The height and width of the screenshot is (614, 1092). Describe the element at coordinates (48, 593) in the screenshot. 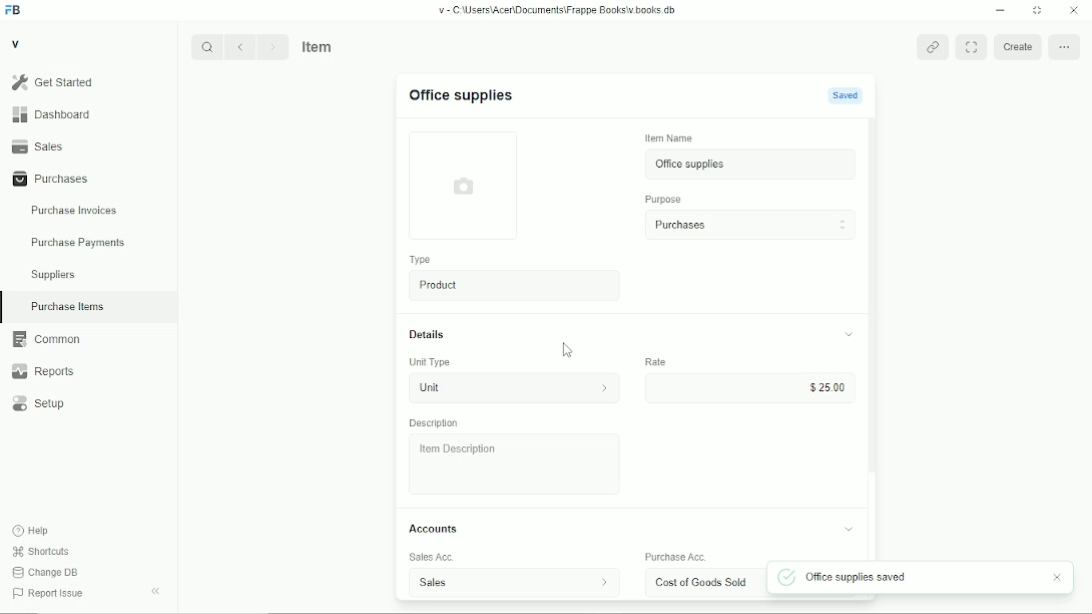

I see `report issue` at that location.